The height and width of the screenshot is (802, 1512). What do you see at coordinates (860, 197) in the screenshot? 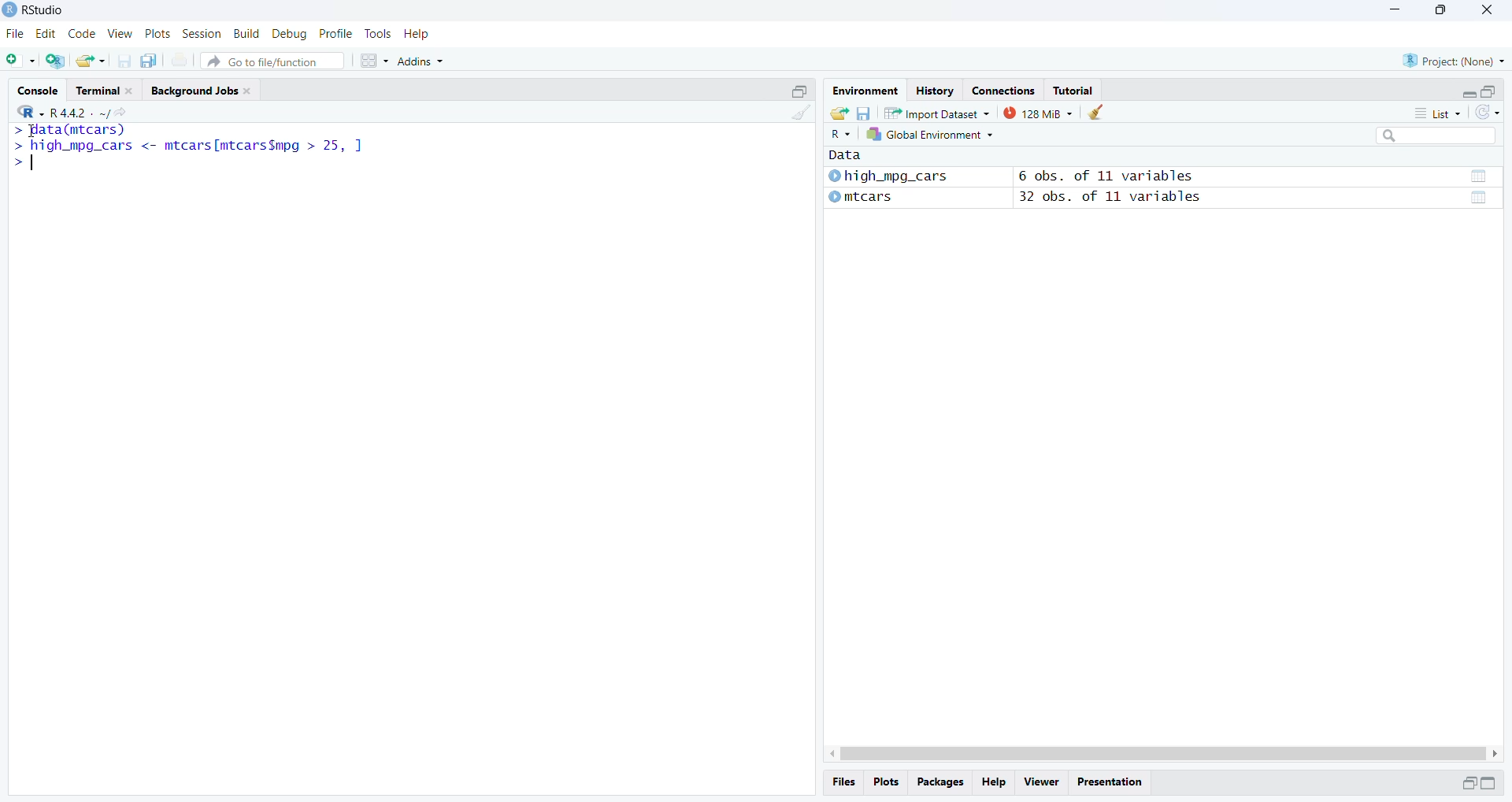
I see `mtcars` at bounding box center [860, 197].